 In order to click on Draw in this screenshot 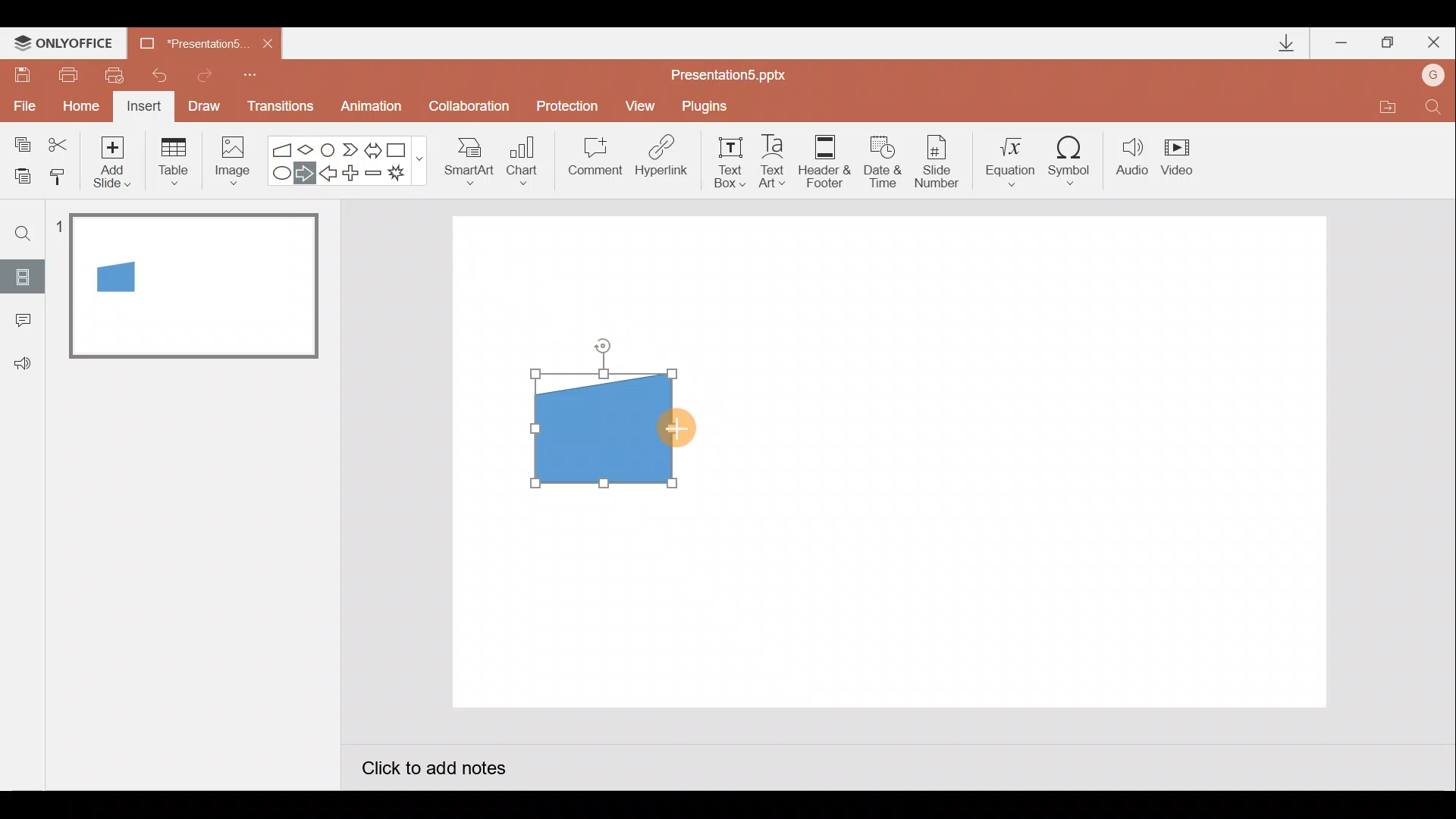, I will do `click(205, 105)`.